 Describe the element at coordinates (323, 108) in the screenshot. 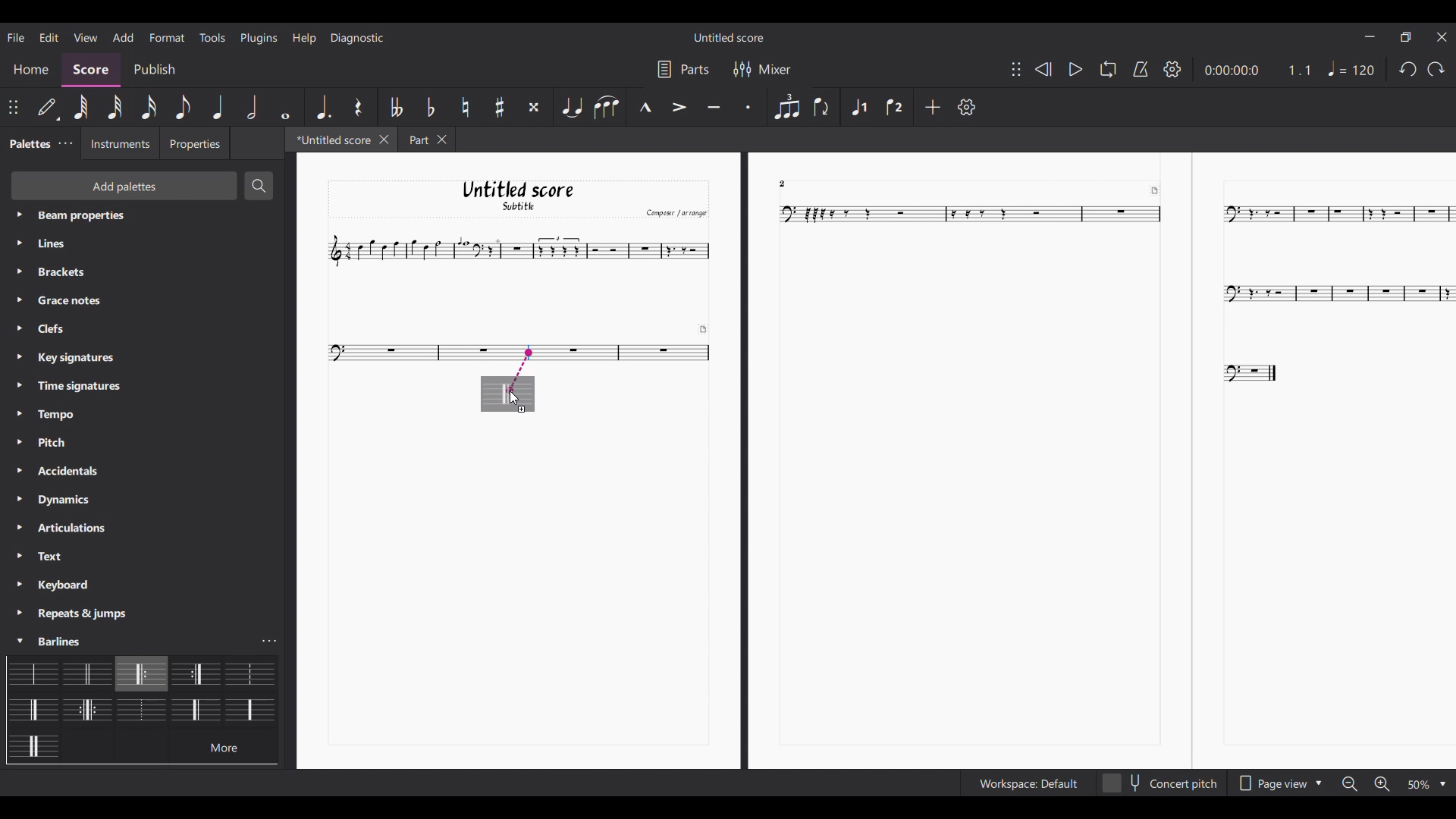

I see `Augmentation dot` at that location.